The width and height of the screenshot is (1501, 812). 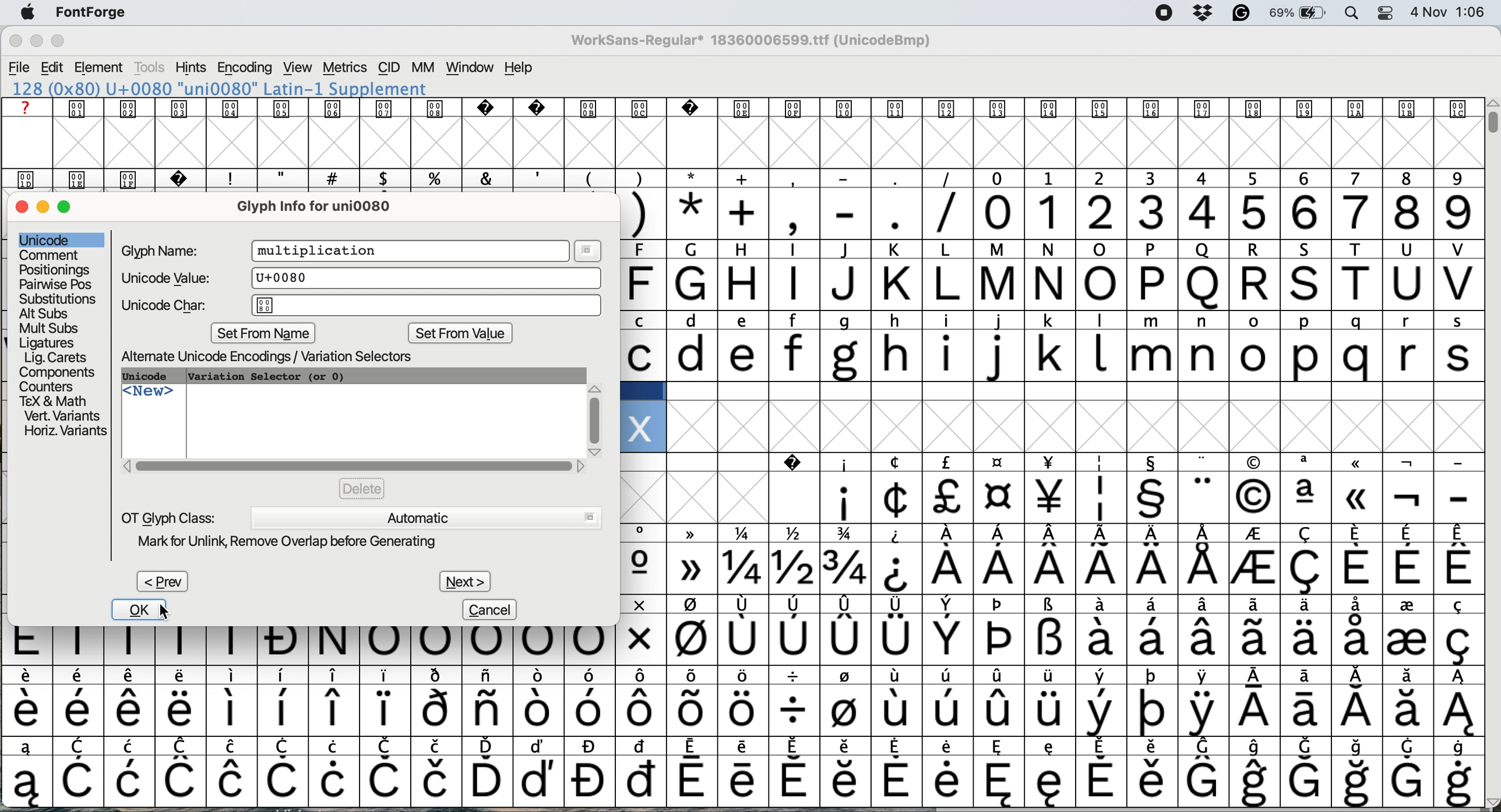 I want to click on control center, so click(x=1383, y=12).